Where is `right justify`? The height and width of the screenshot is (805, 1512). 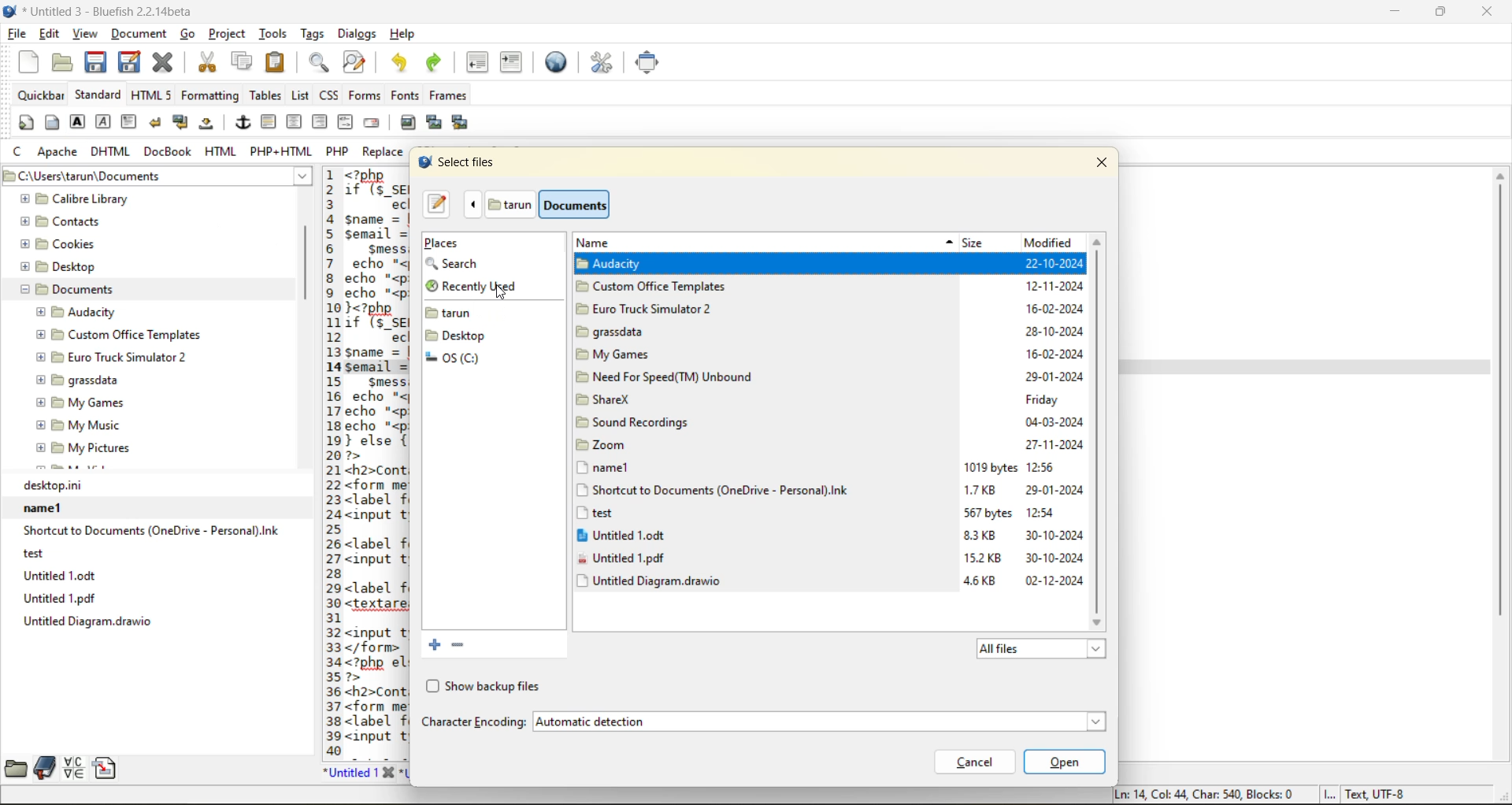
right justify is located at coordinates (320, 122).